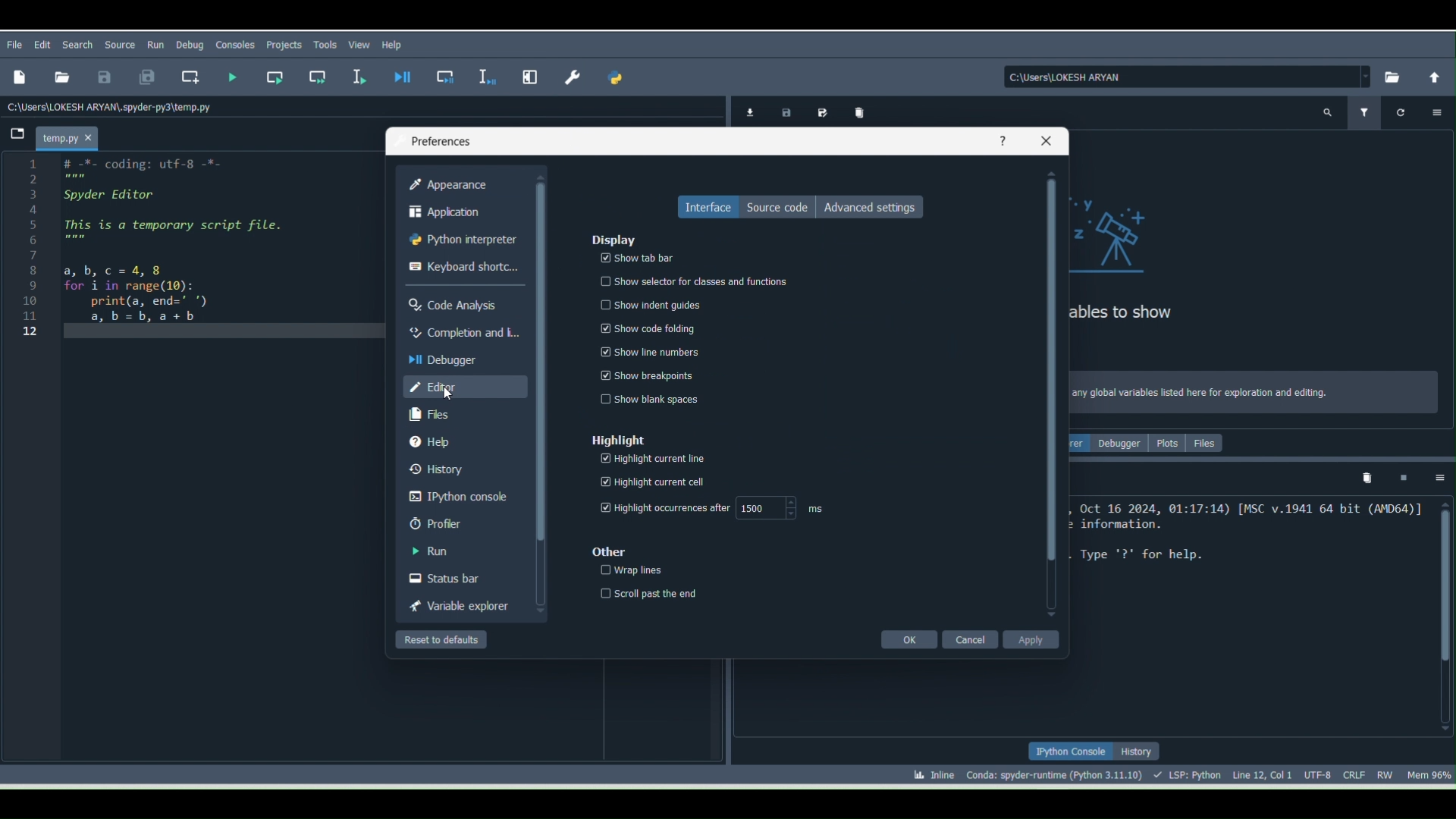 This screenshot has width=1456, height=819. Describe the element at coordinates (619, 81) in the screenshot. I see `PYTHONPATH manager` at that location.